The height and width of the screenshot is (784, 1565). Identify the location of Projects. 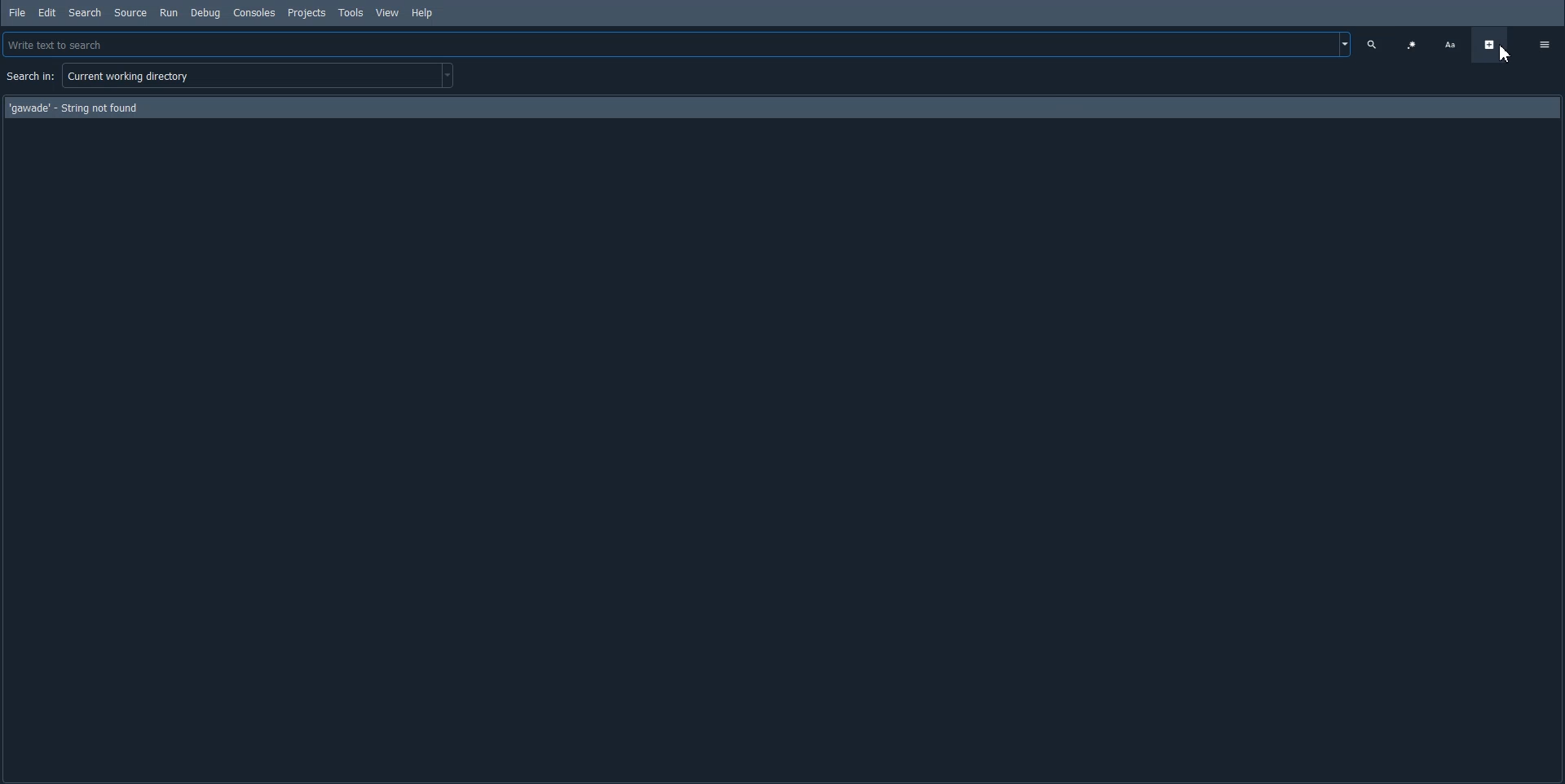
(308, 12).